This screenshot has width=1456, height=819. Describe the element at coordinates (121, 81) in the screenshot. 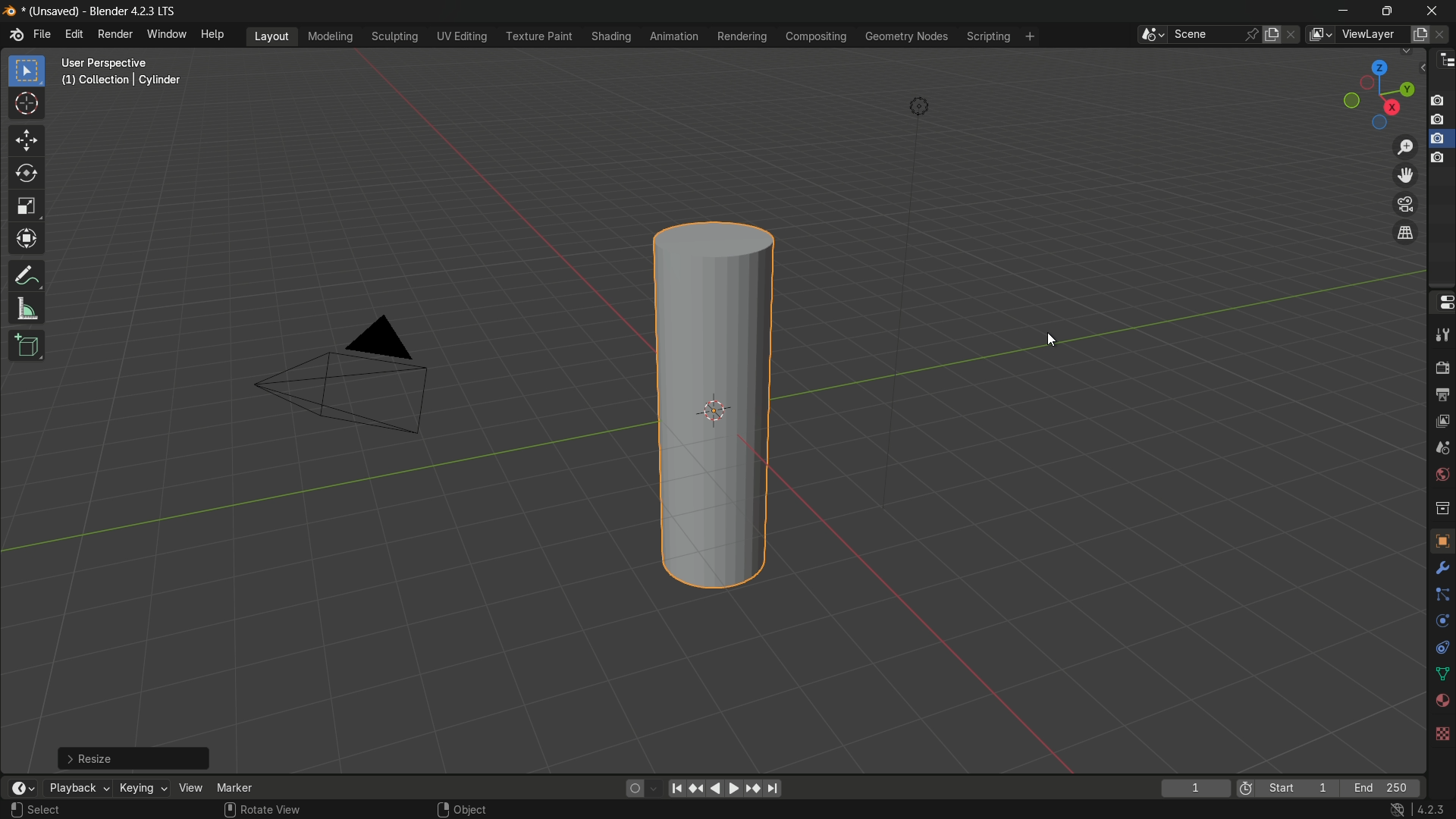

I see `(1) Collection | Cylinder` at that location.